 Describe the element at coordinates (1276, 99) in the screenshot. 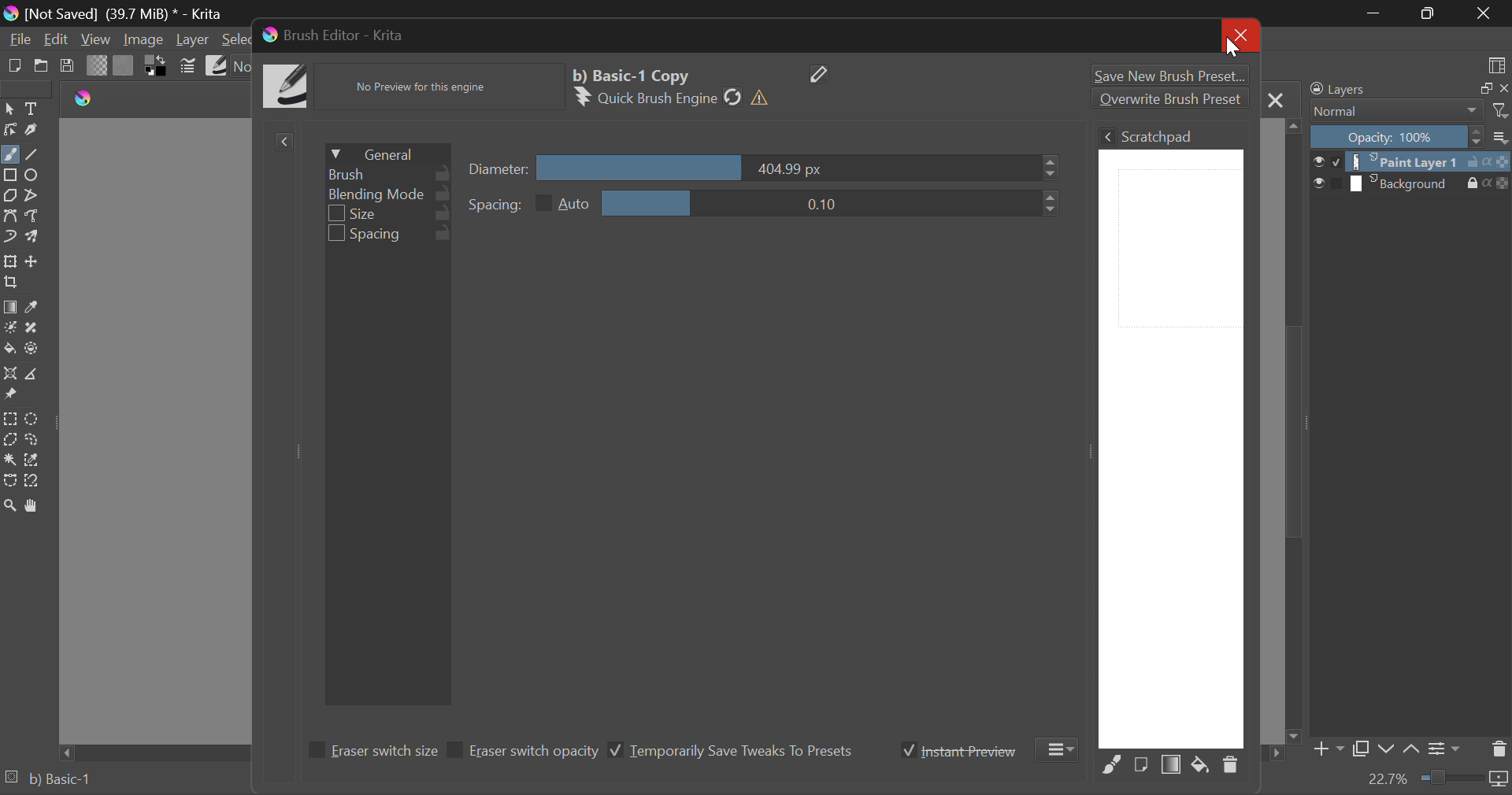

I see `Close` at that location.